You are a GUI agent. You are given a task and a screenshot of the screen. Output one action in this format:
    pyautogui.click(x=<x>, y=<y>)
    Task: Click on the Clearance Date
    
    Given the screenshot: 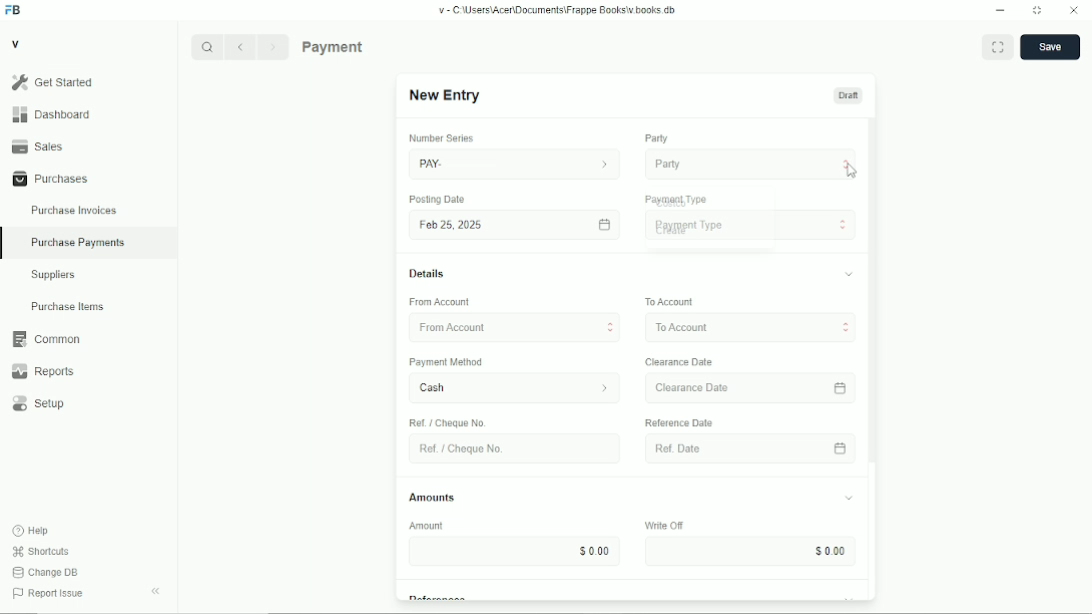 What is the action you would take?
    pyautogui.click(x=683, y=362)
    